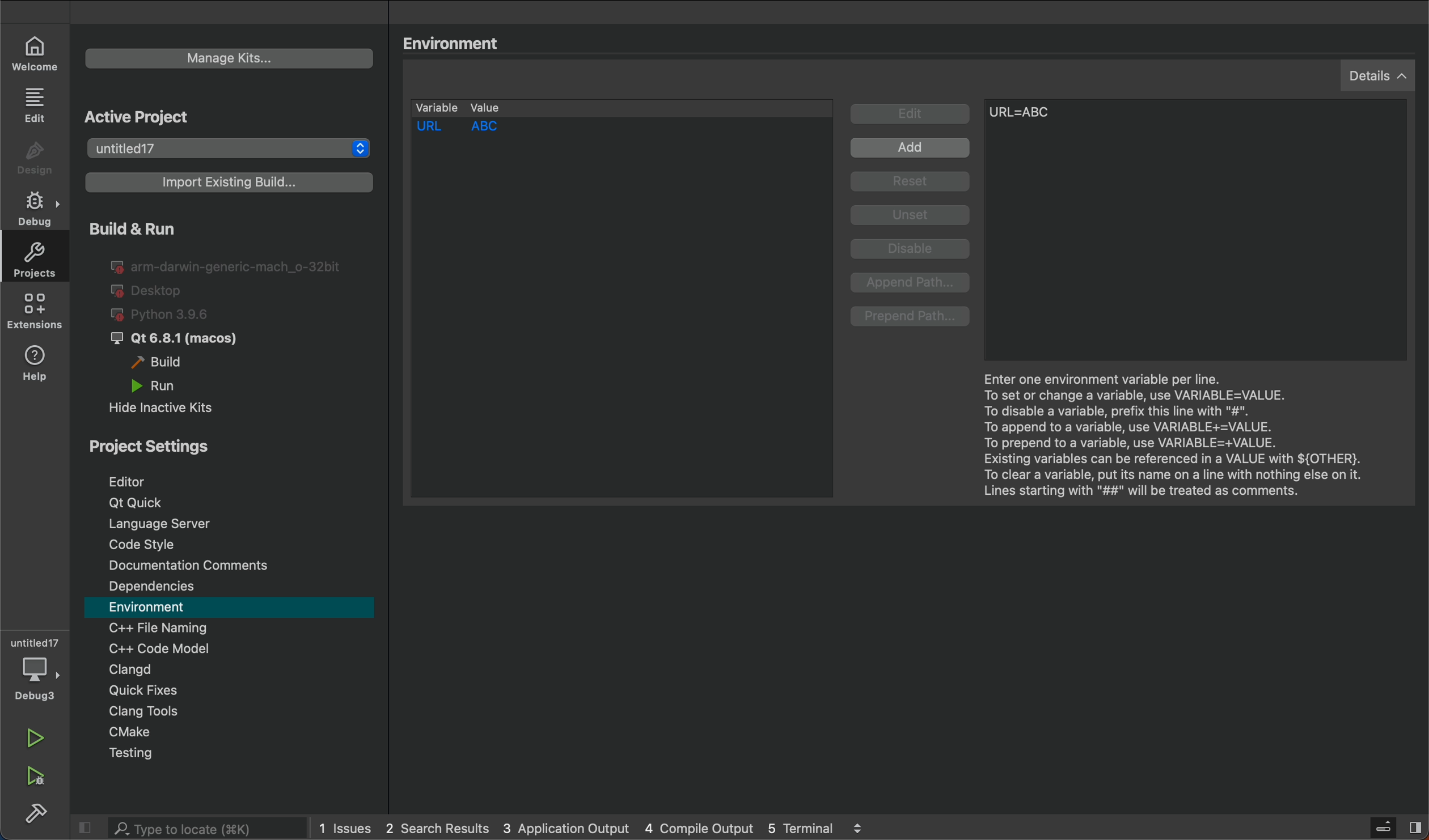 The image size is (1429, 840). I want to click on prepend path, so click(912, 317).